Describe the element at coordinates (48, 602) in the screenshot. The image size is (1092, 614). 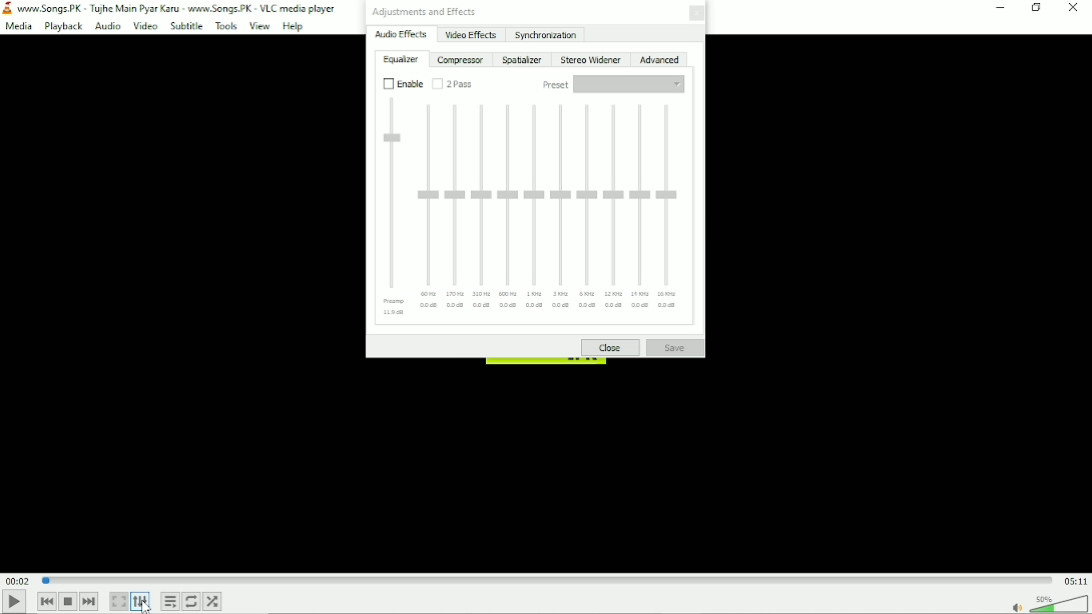
I see `Previous` at that location.